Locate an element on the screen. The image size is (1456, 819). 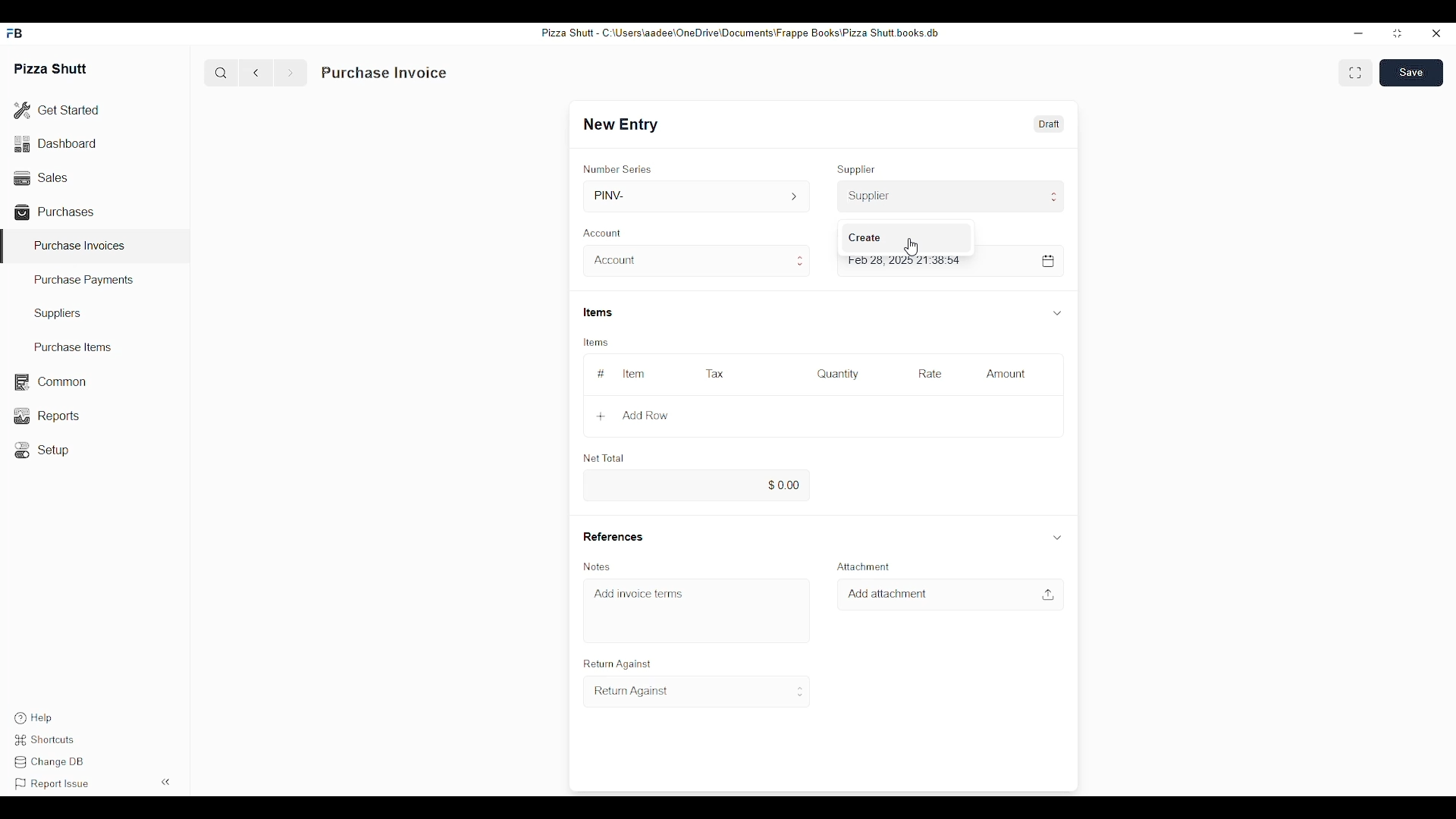
Reports is located at coordinates (45, 416).